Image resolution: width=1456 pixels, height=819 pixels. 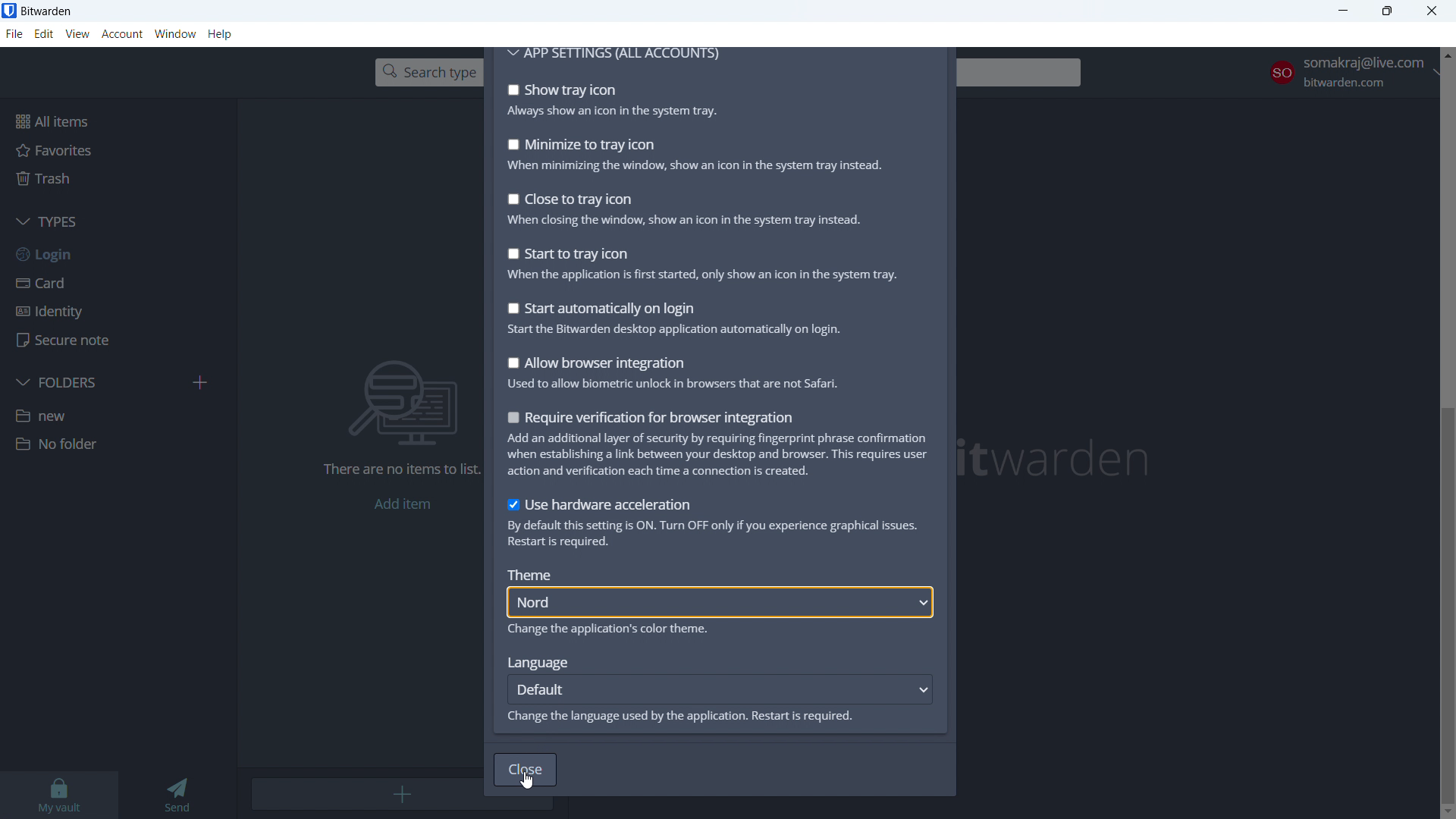 I want to click on account, so click(x=122, y=35).